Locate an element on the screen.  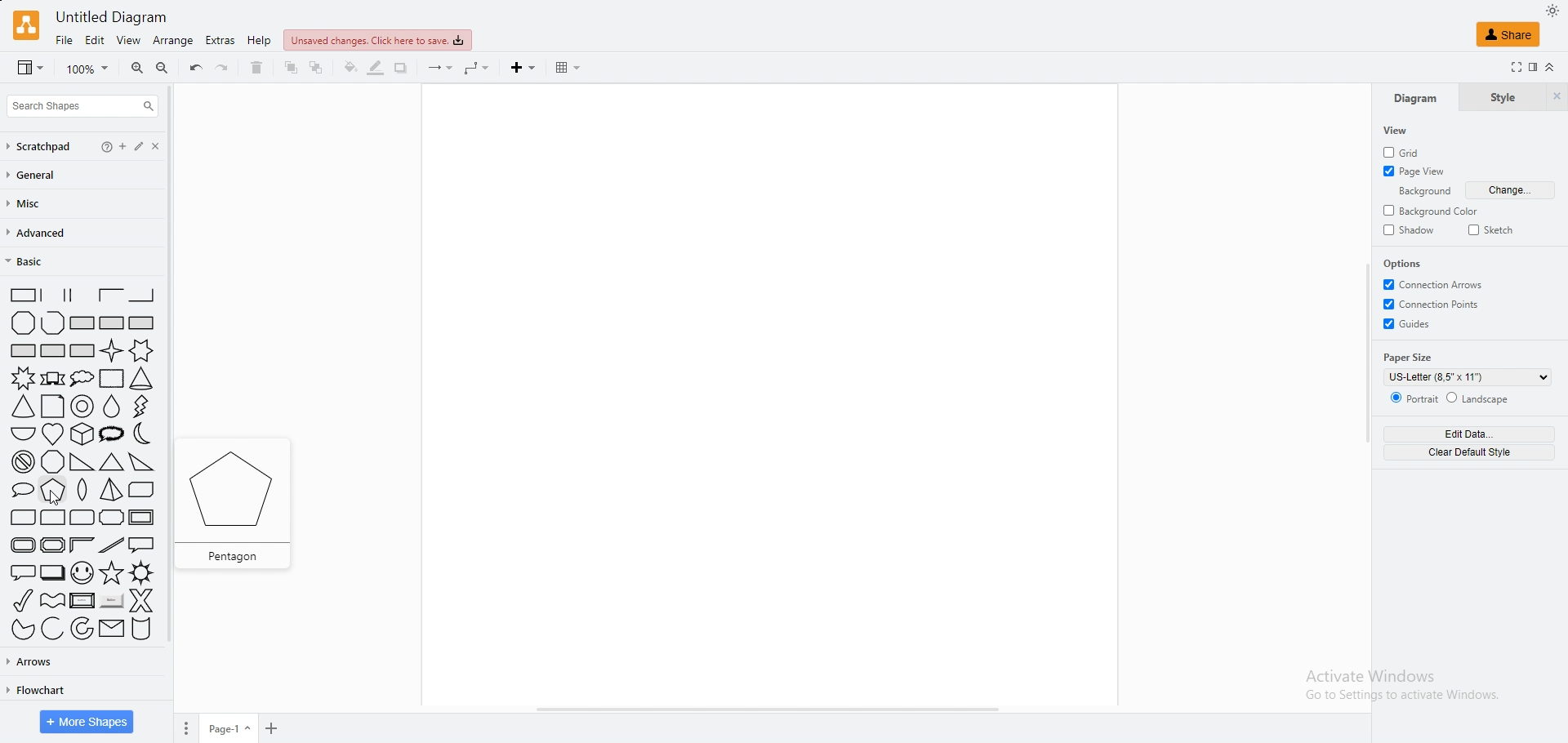
collapse is located at coordinates (1549, 67).